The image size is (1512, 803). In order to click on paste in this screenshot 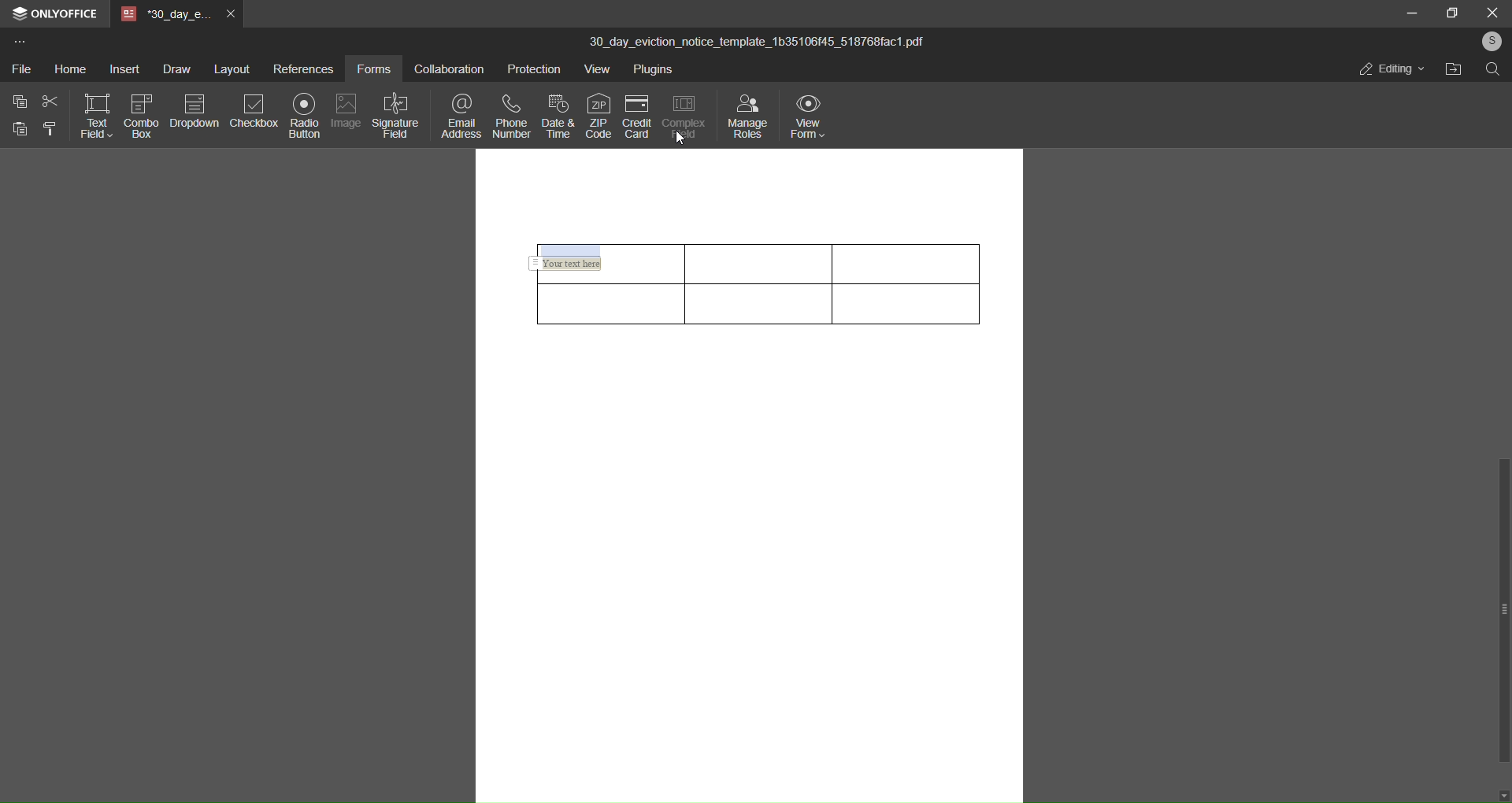, I will do `click(17, 131)`.